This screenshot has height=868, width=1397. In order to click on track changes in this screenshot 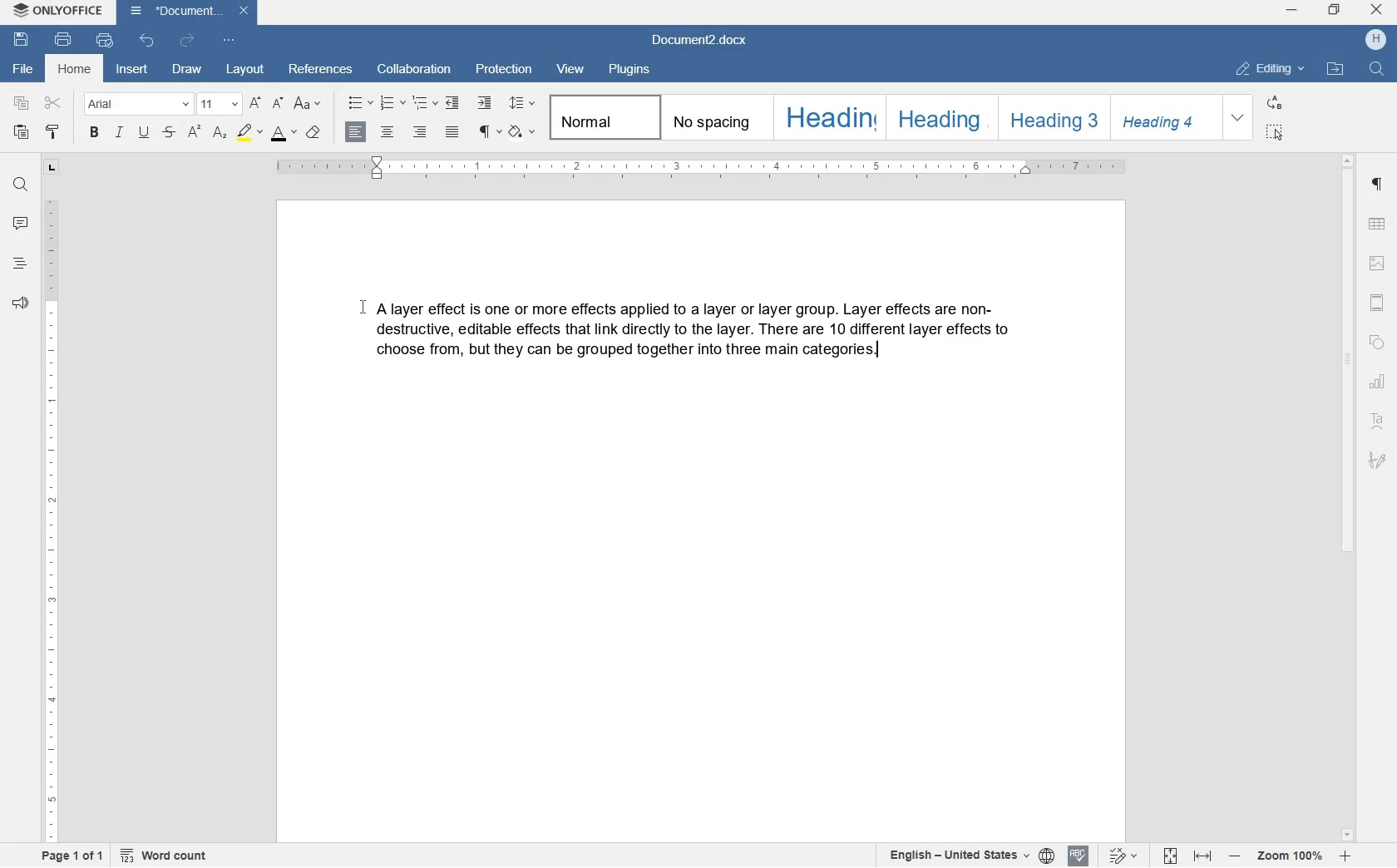, I will do `click(1124, 856)`.